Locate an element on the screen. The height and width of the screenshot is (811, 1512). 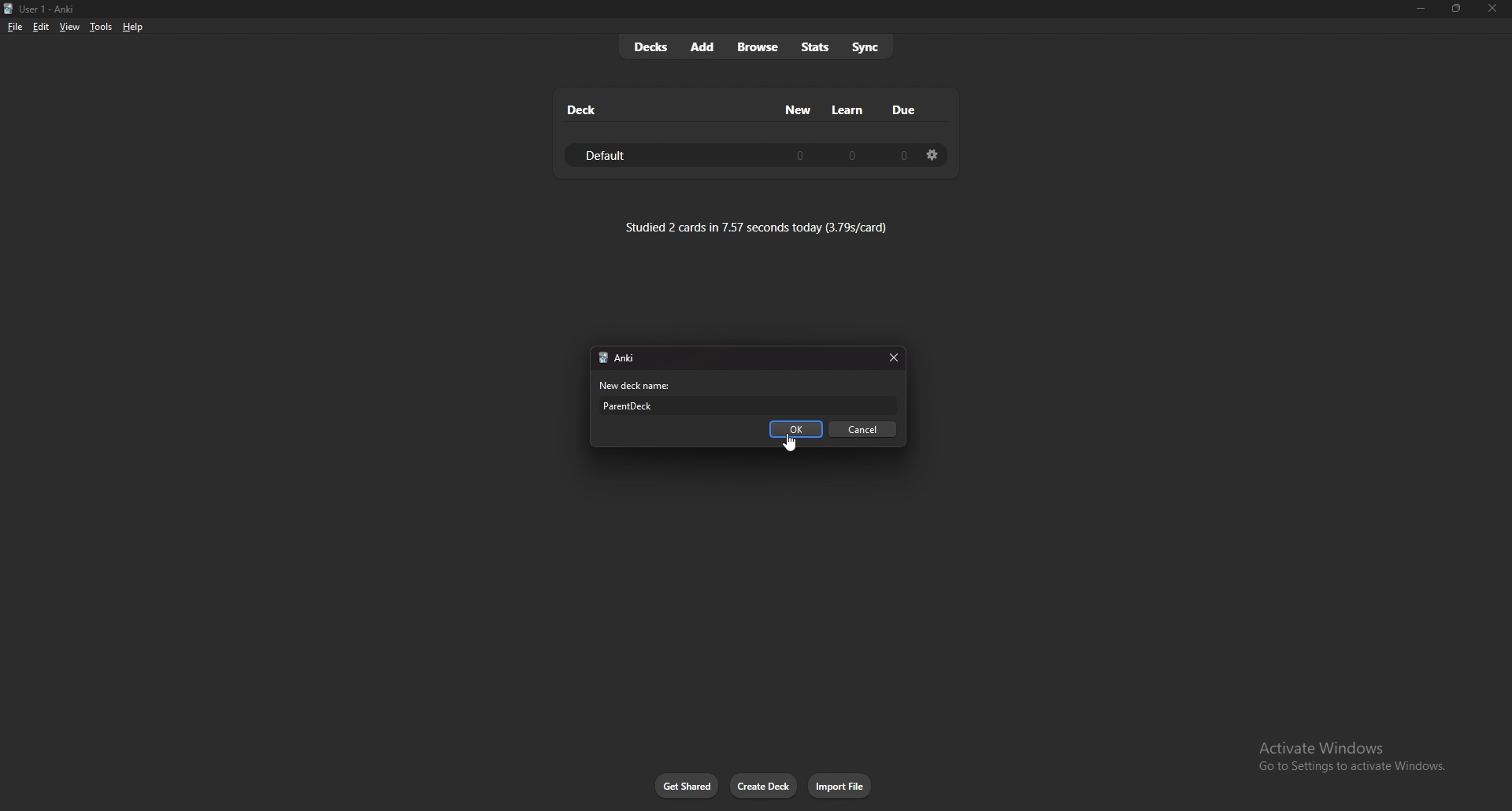
logo is located at coordinates (9, 9).